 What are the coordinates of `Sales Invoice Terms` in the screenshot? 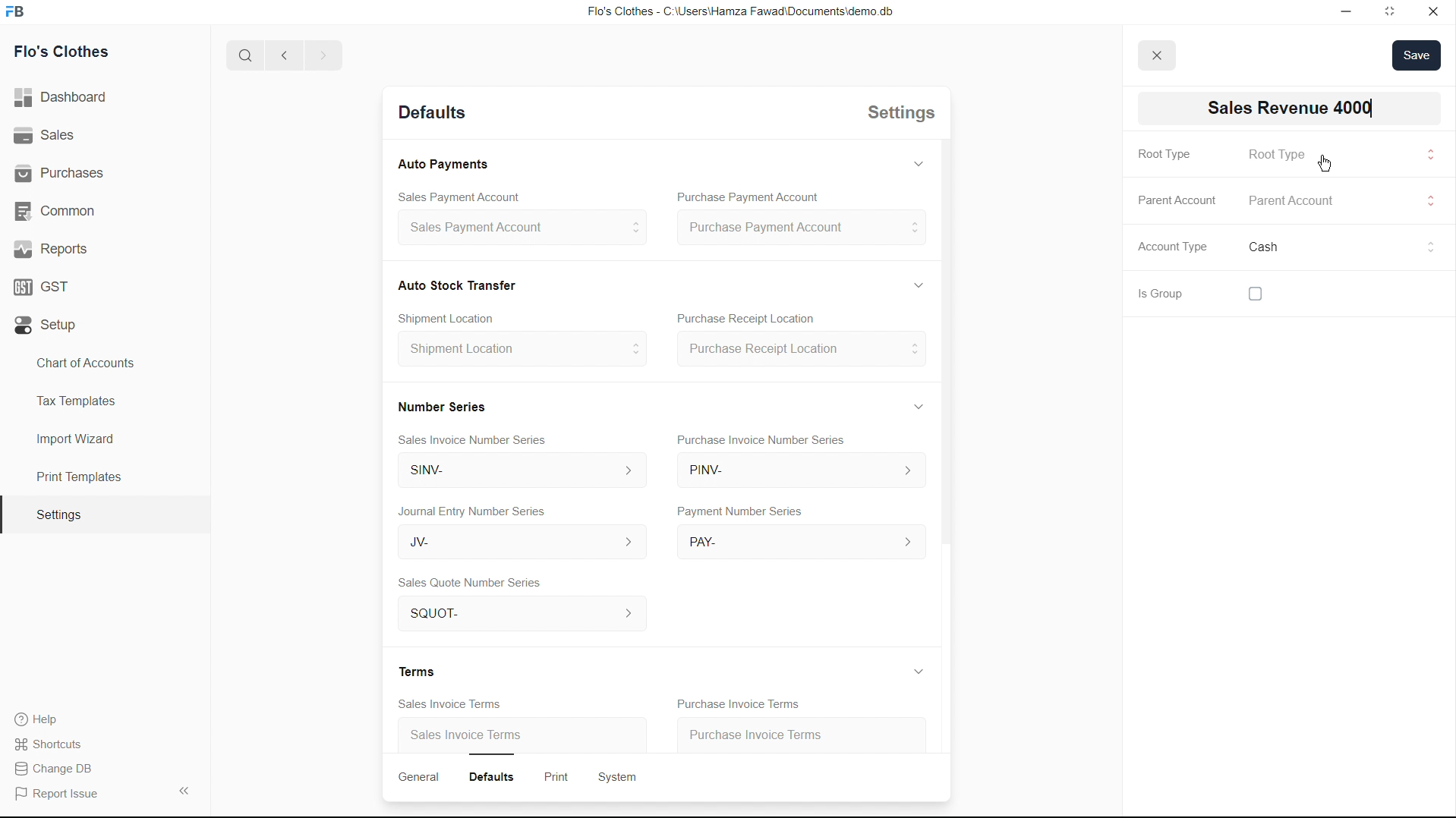 It's located at (442, 703).